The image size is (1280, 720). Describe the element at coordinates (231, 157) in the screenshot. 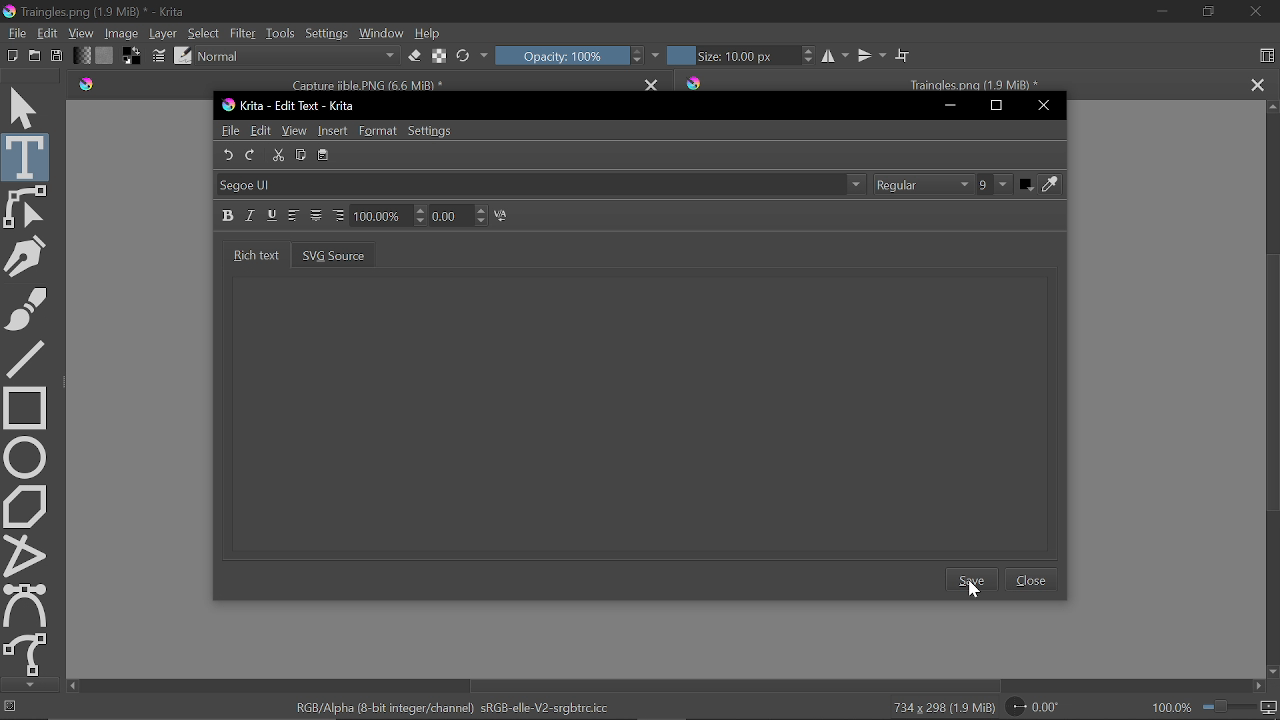

I see `Undo` at that location.